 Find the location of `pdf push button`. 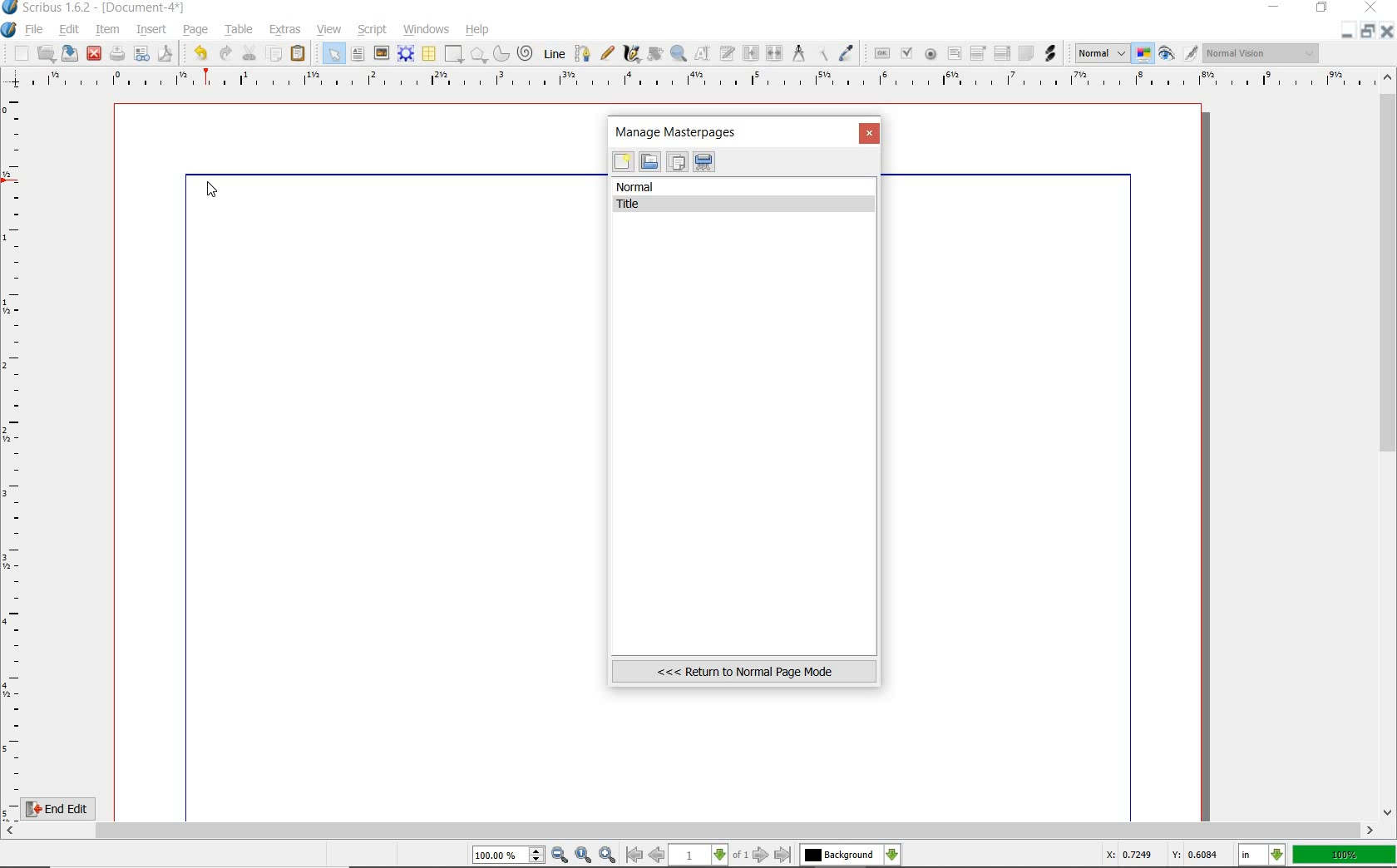

pdf push button is located at coordinates (879, 52).